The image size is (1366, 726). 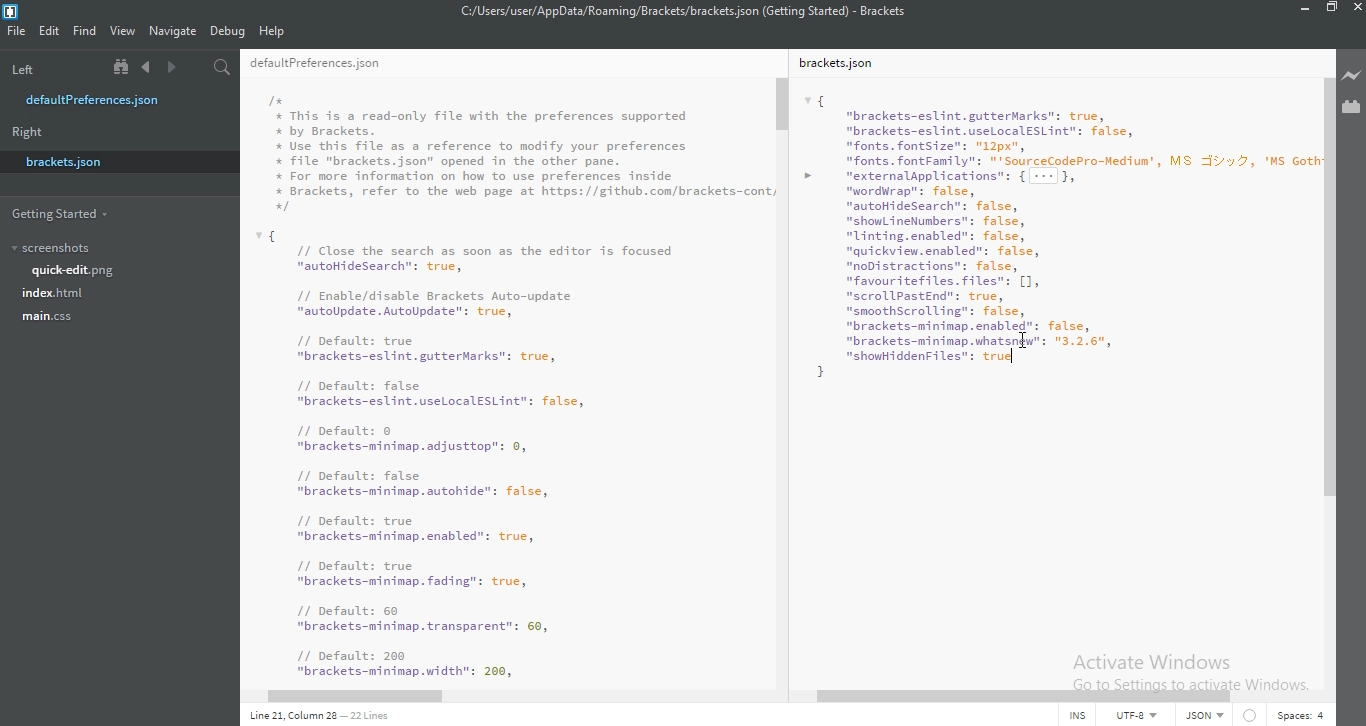 I want to click on defaultPreference.json, so click(x=335, y=65).